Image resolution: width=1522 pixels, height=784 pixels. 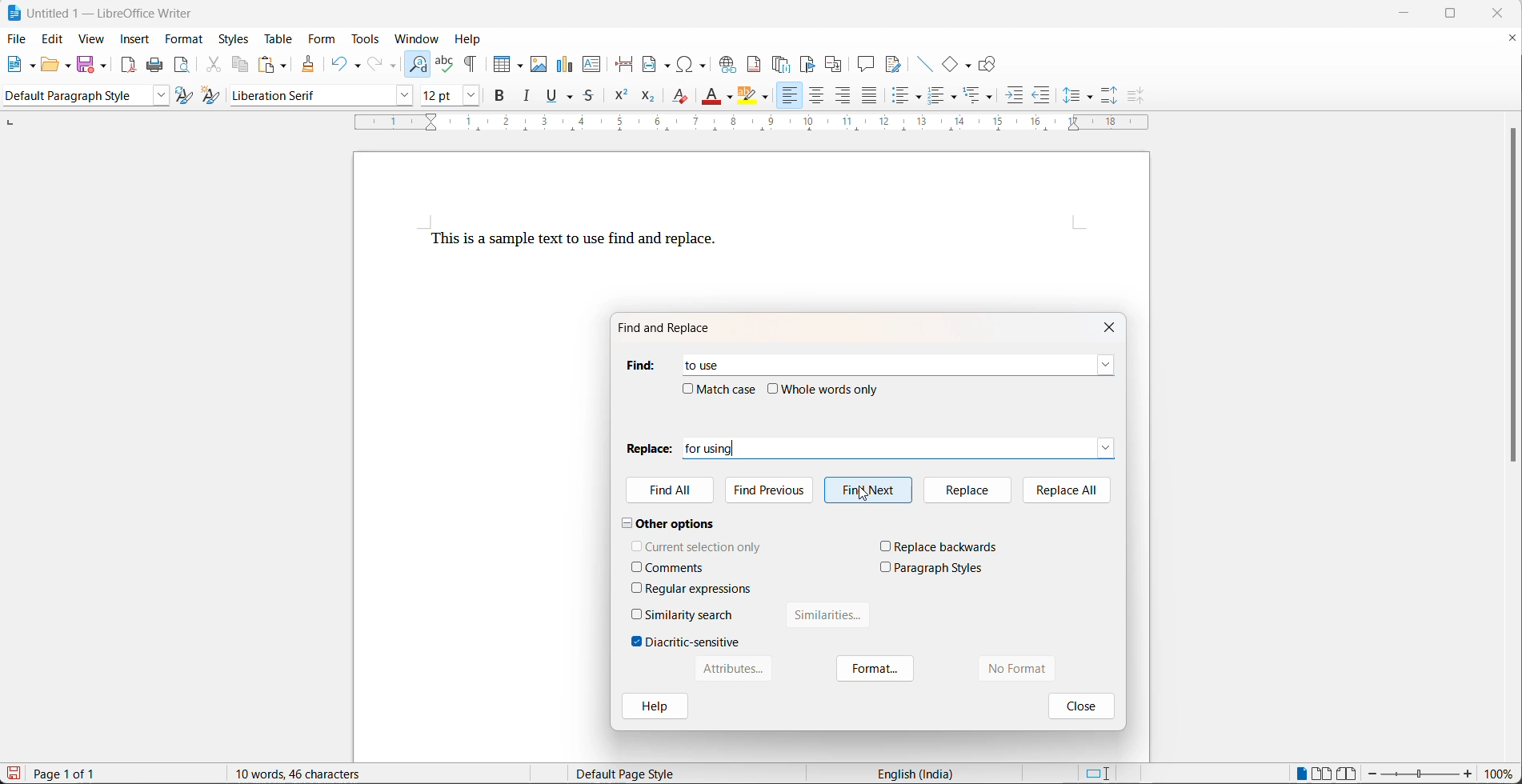 What do you see at coordinates (17, 68) in the screenshot?
I see `new file` at bounding box center [17, 68].